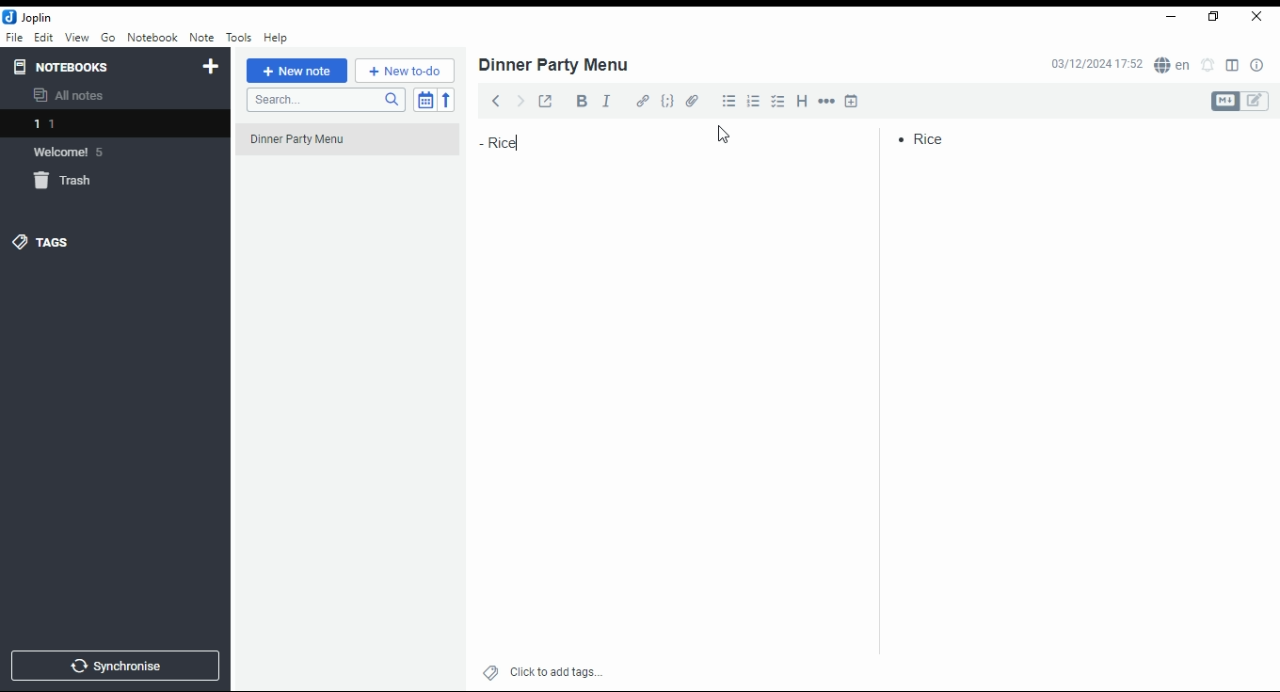 The image size is (1280, 692). What do you see at coordinates (546, 100) in the screenshot?
I see `toggle external editing` at bounding box center [546, 100].